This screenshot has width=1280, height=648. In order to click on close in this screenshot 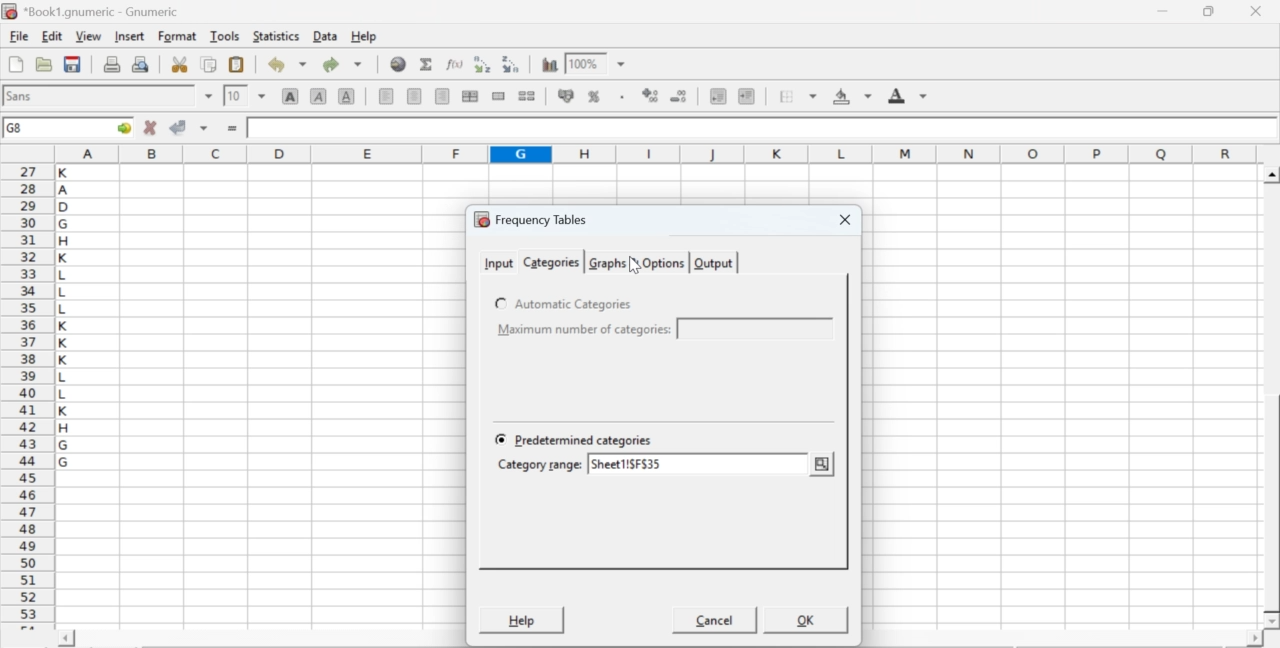, I will do `click(1254, 11)`.